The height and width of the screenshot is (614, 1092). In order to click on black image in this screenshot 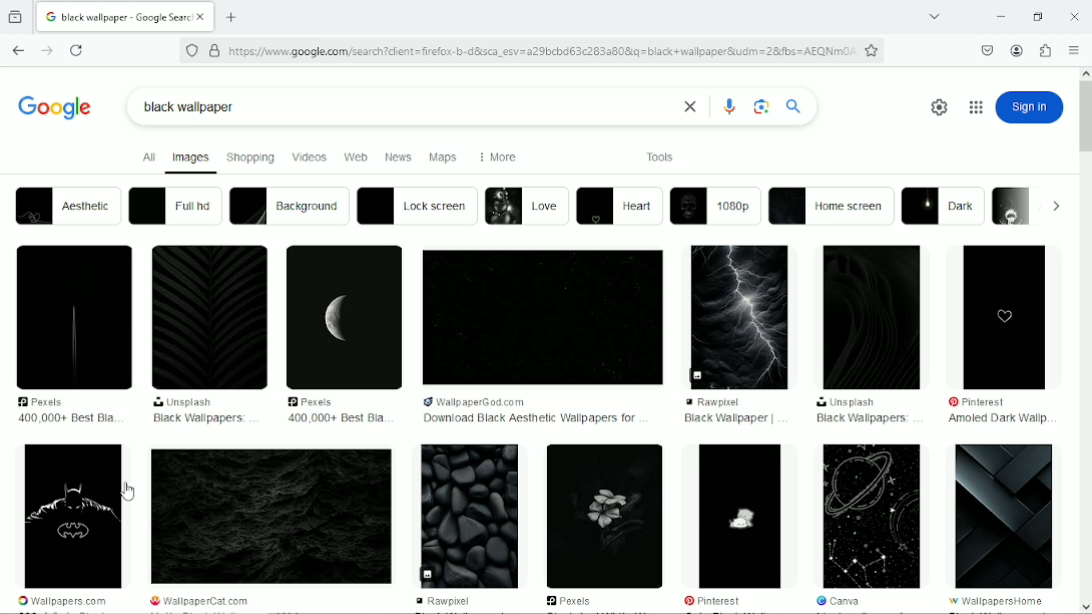, I will do `click(742, 315)`.